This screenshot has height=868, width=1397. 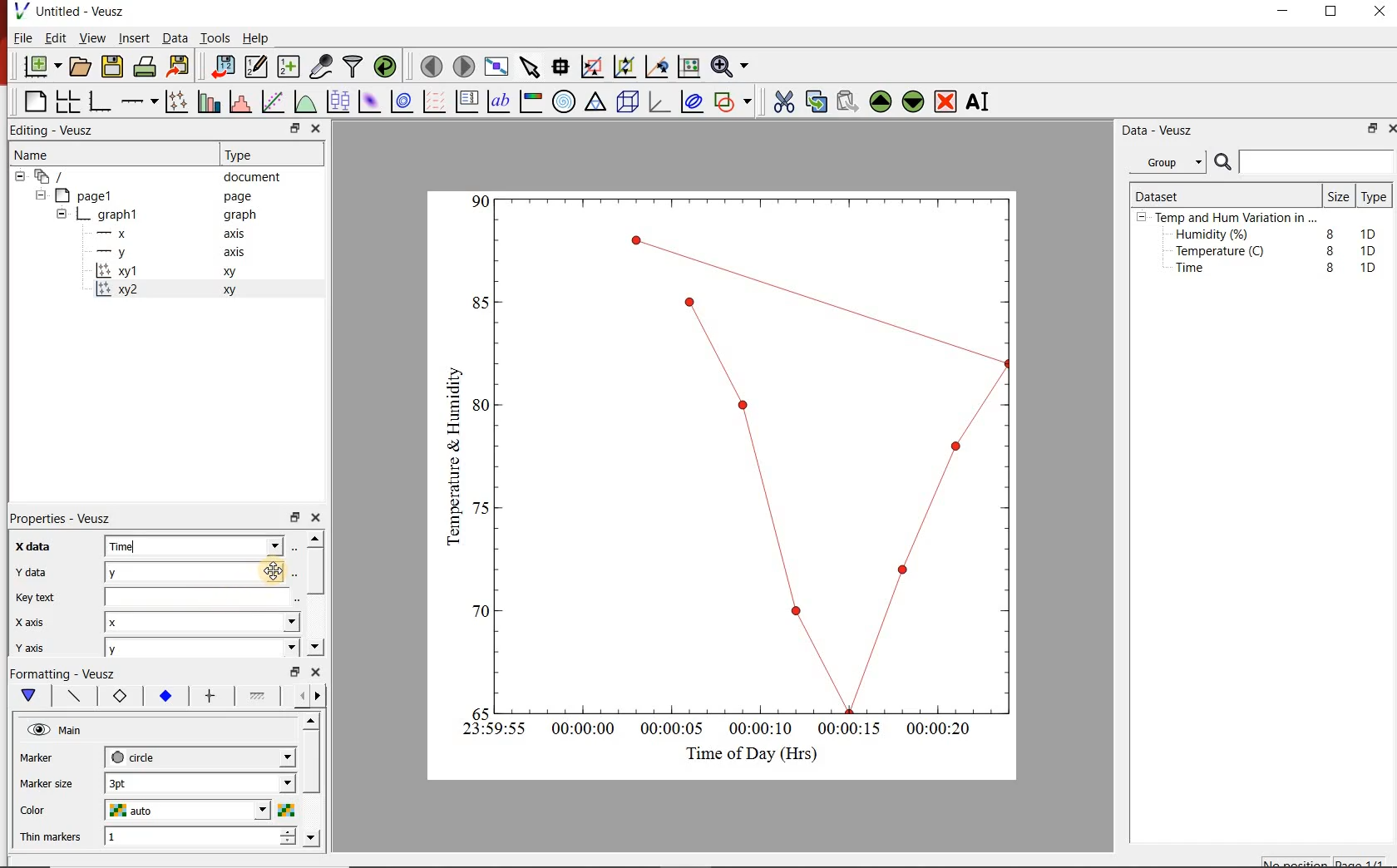 I want to click on plot a function, so click(x=307, y=104).